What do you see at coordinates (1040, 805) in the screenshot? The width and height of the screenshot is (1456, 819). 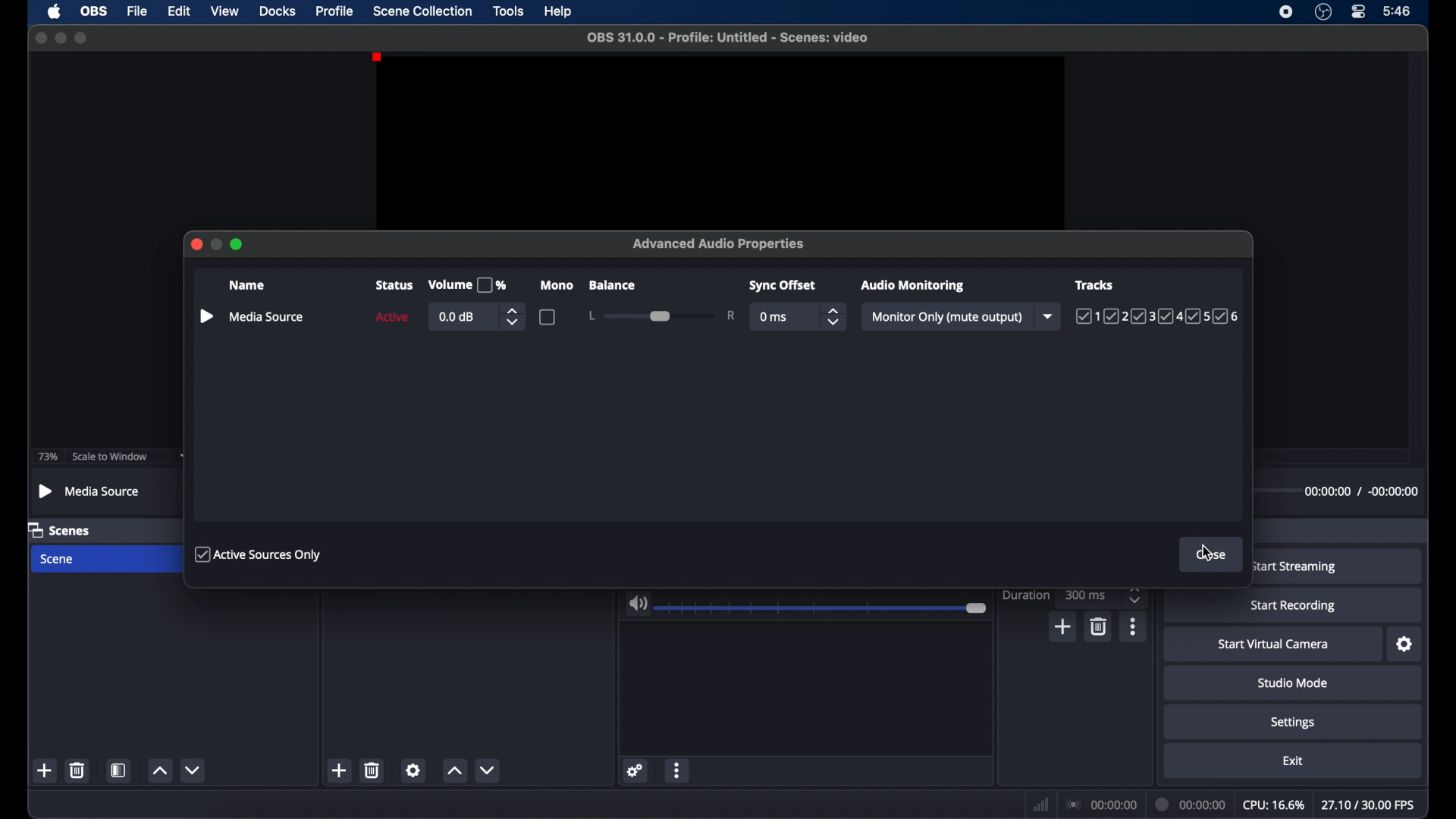 I see `network` at bounding box center [1040, 805].